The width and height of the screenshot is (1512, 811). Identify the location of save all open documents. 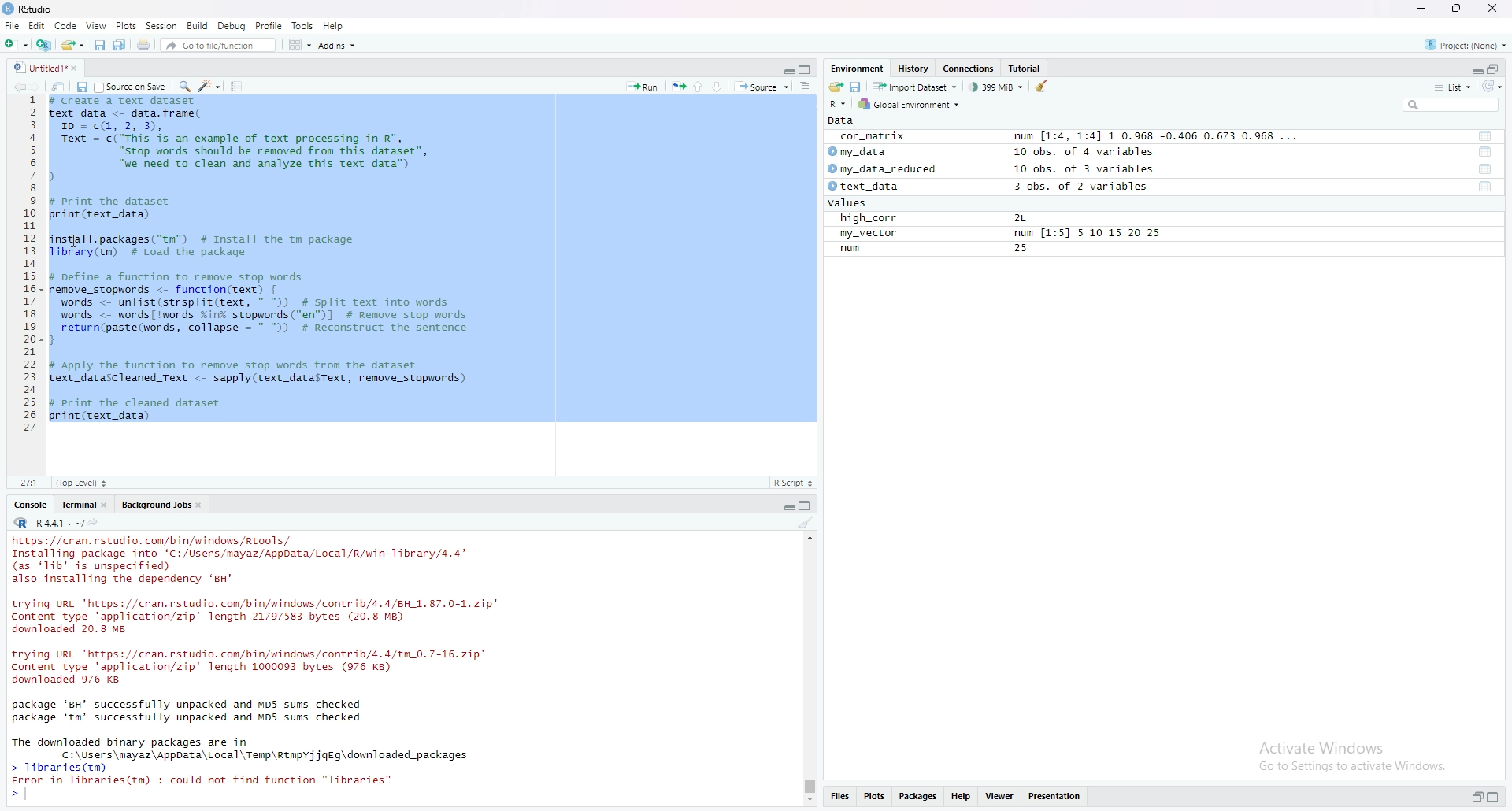
(124, 46).